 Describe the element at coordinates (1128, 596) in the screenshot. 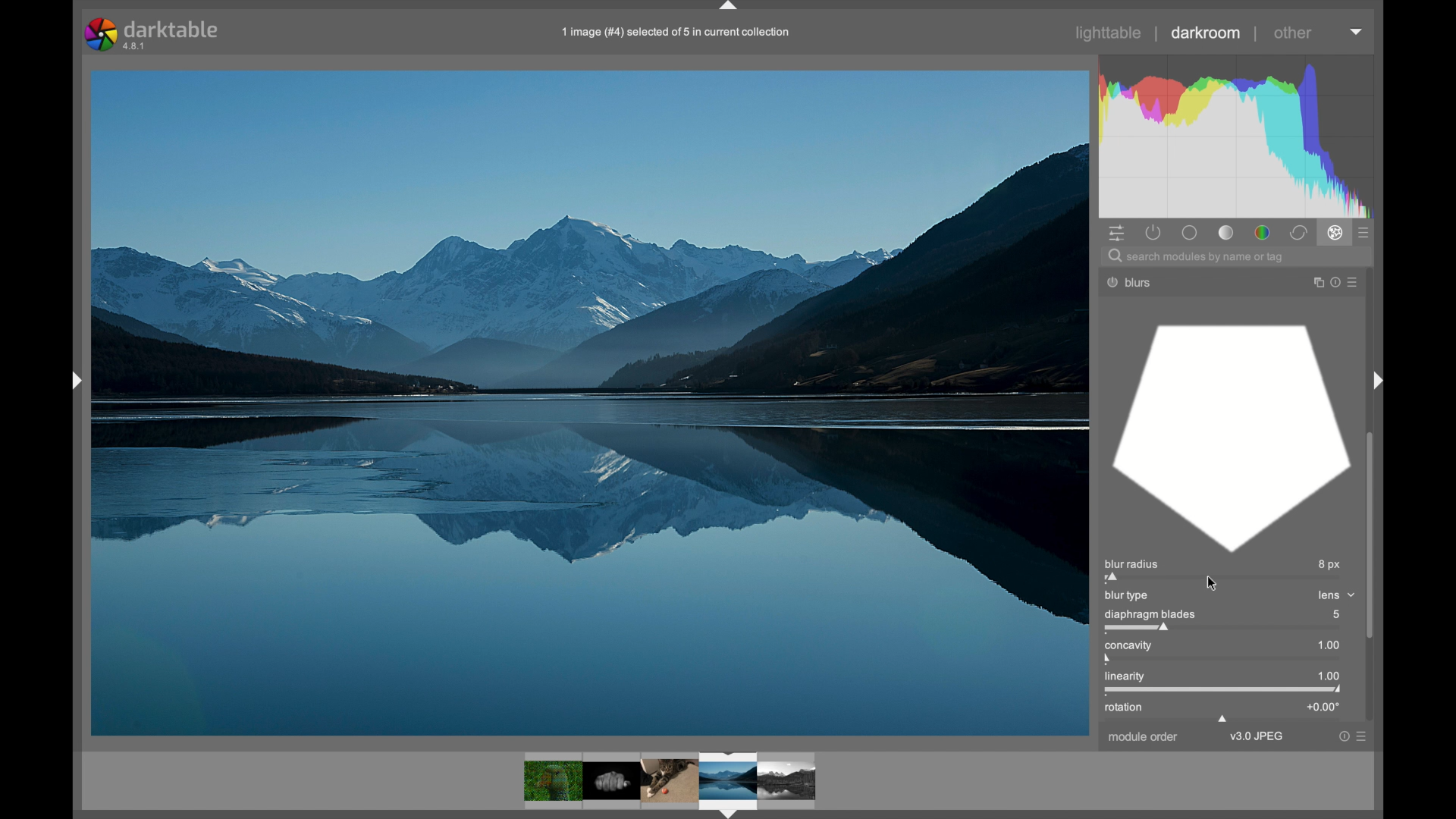

I see `blur  type` at that location.